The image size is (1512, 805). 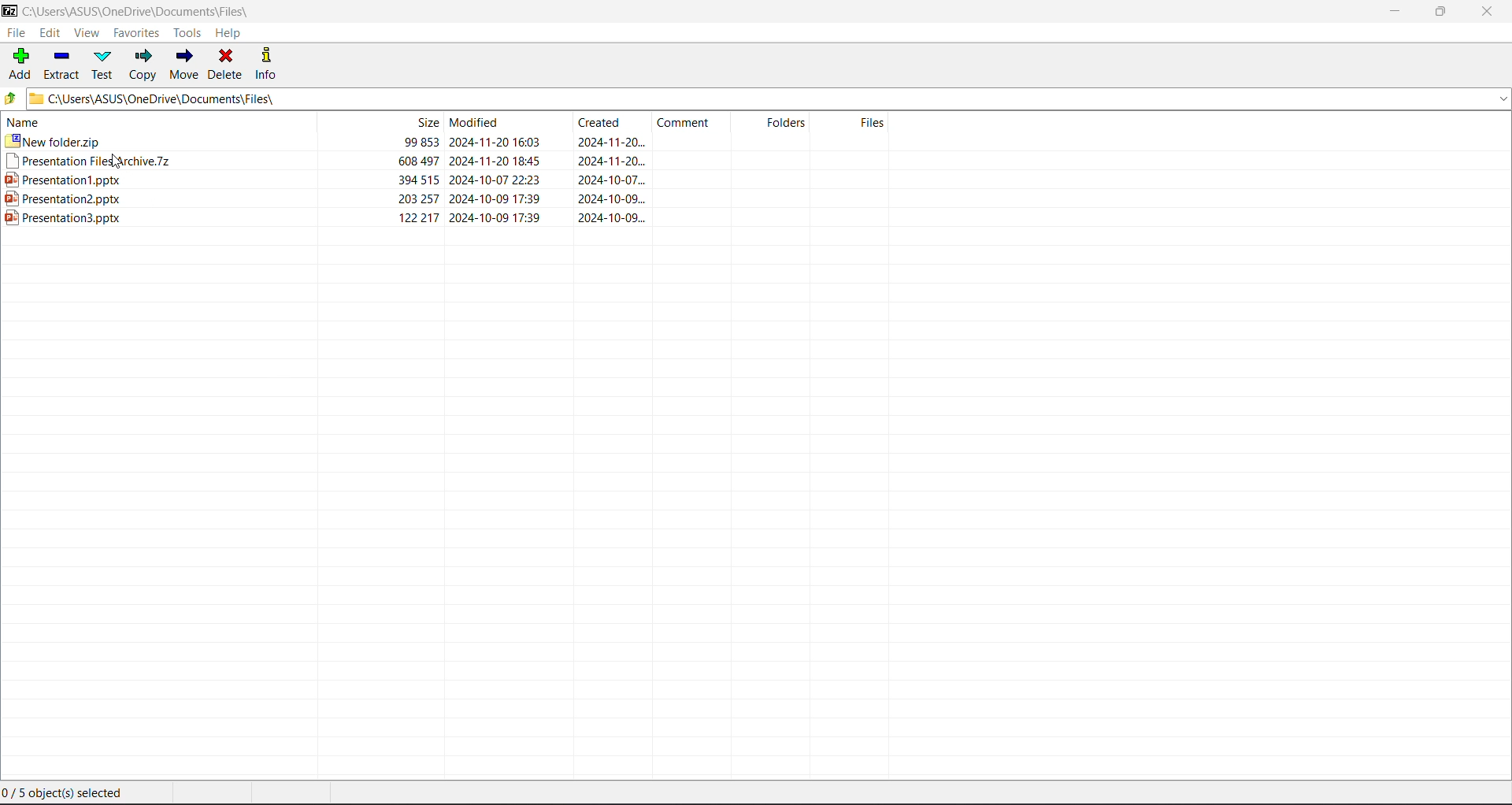 I want to click on Test, so click(x=102, y=65).